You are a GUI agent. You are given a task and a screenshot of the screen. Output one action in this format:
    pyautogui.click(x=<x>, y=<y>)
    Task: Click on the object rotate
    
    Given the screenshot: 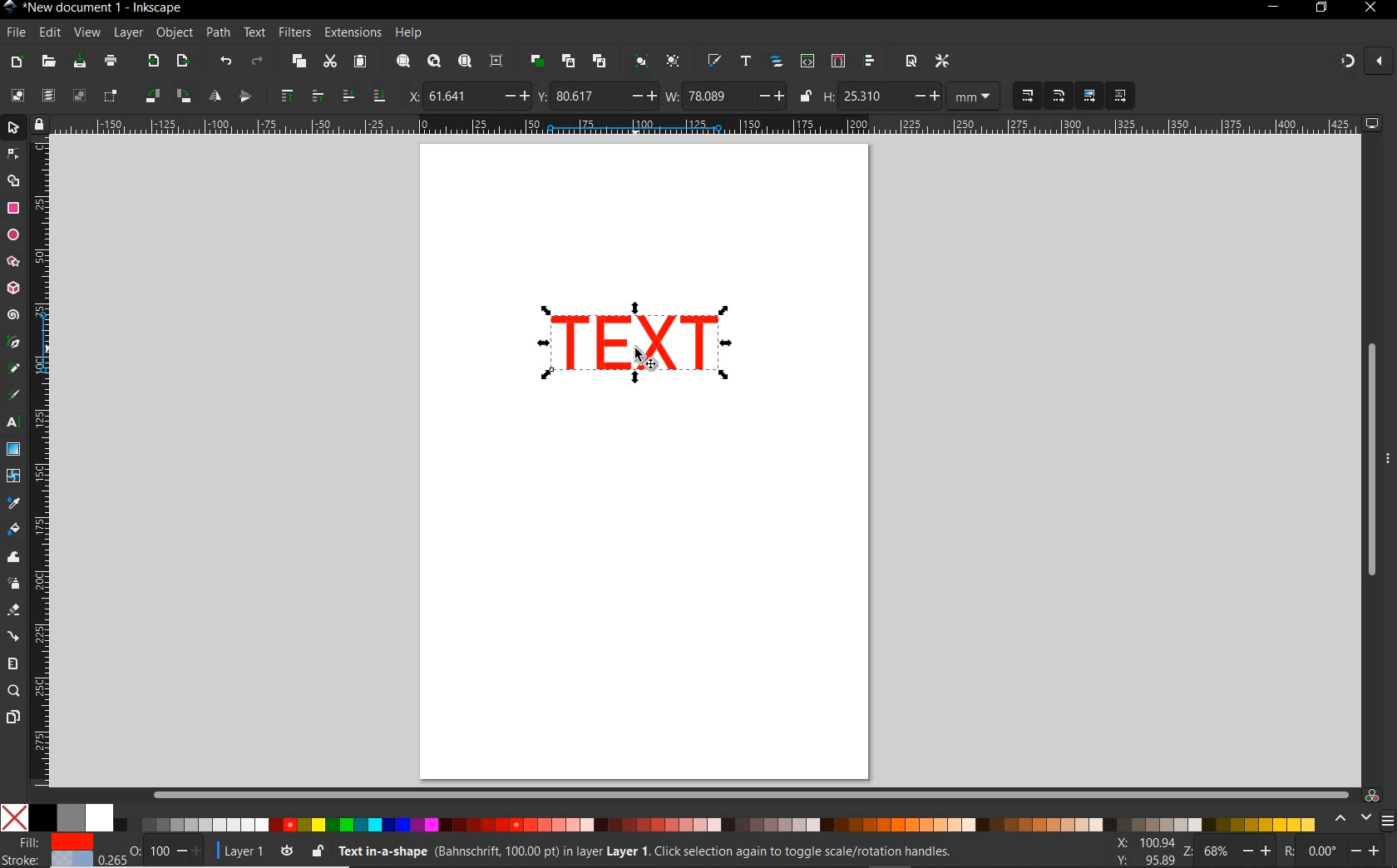 What is the action you would take?
    pyautogui.click(x=166, y=96)
    